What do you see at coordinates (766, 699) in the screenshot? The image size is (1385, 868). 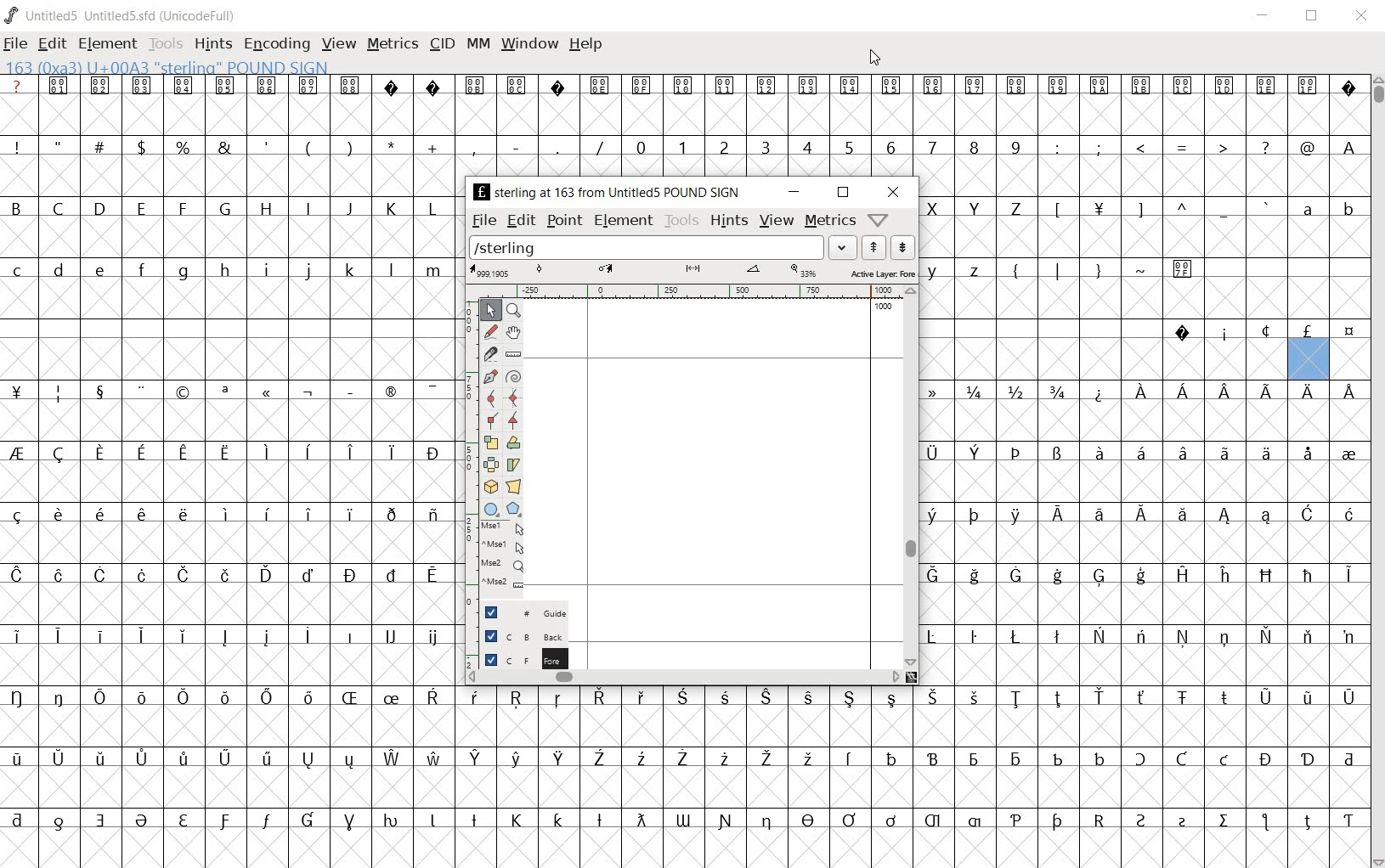 I see `Symbol` at bounding box center [766, 699].